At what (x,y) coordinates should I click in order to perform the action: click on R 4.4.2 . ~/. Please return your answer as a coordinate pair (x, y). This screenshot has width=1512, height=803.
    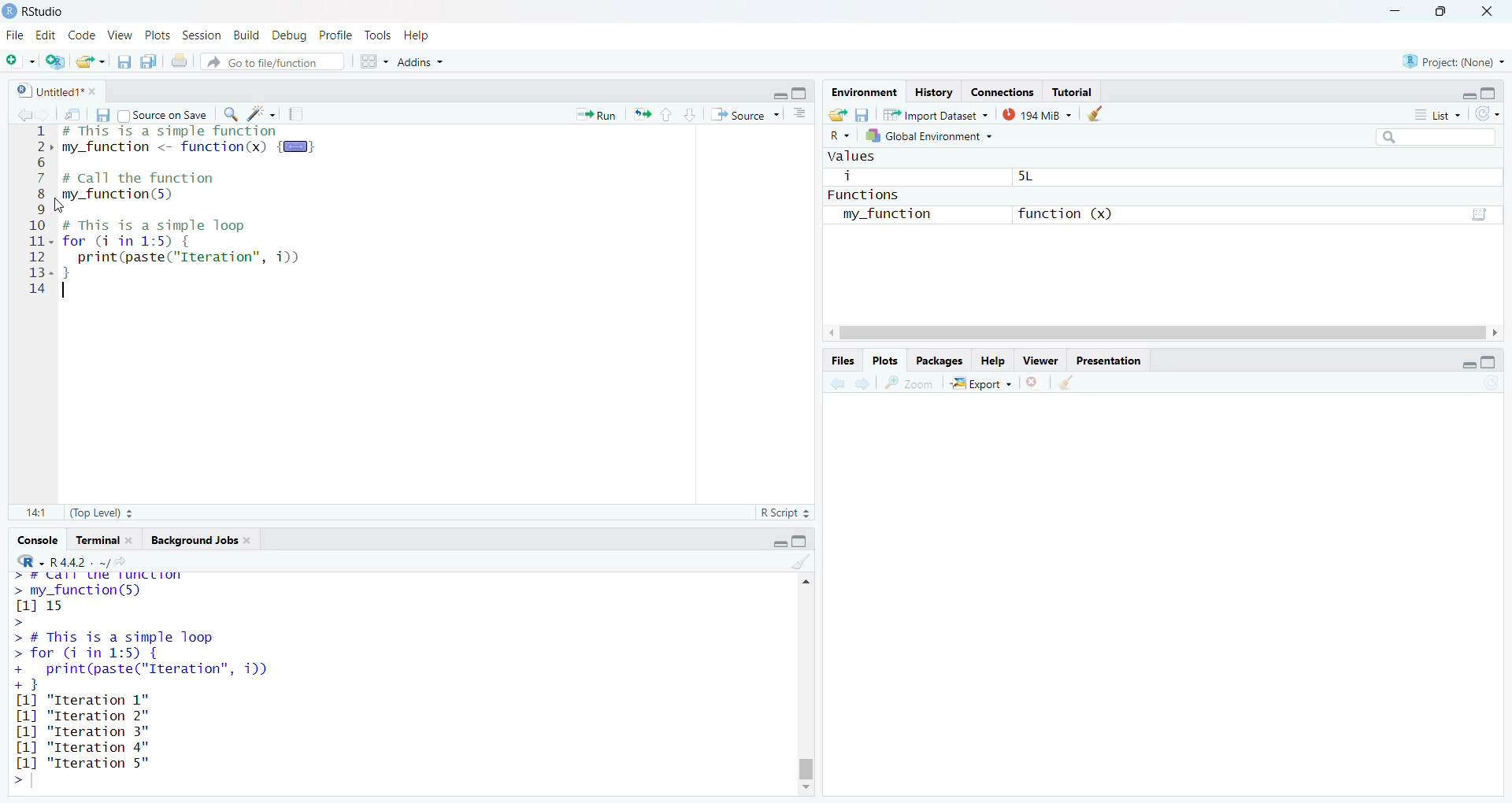
    Looking at the image, I should click on (80, 561).